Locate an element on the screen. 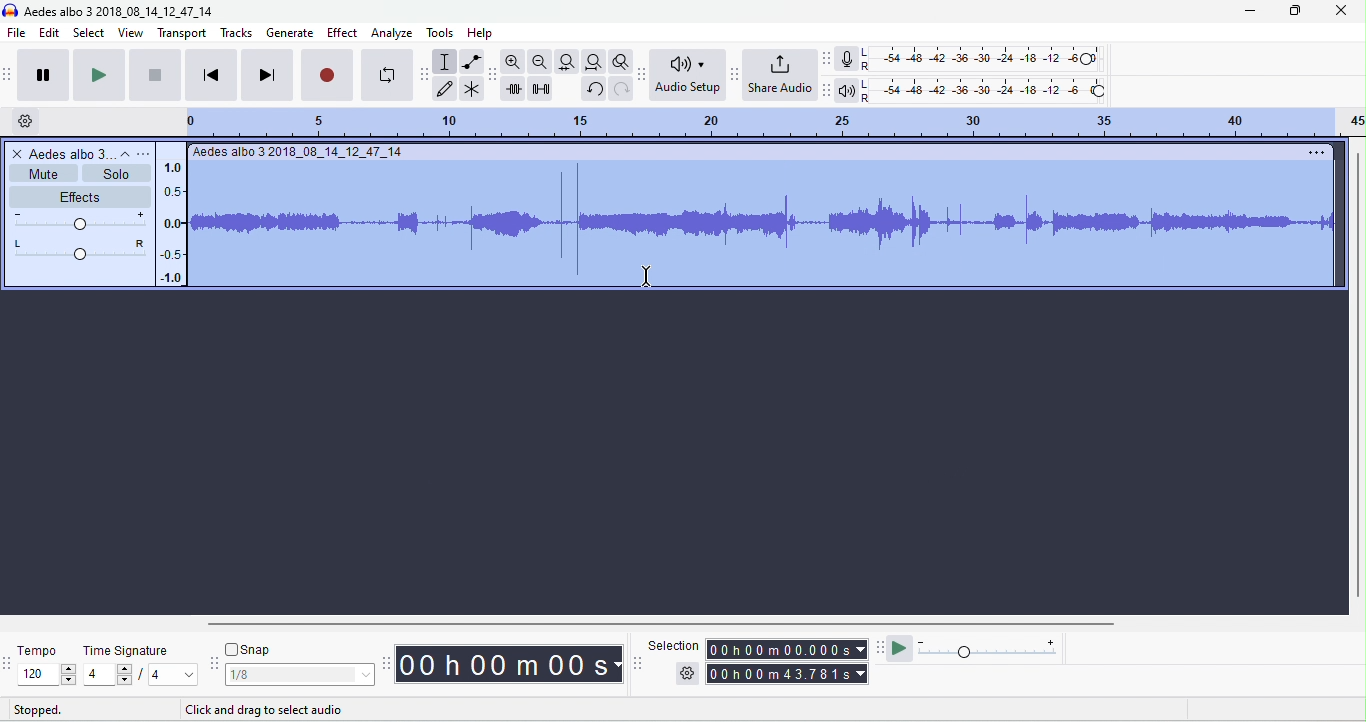 The image size is (1366, 722). cursor is located at coordinates (643, 278).